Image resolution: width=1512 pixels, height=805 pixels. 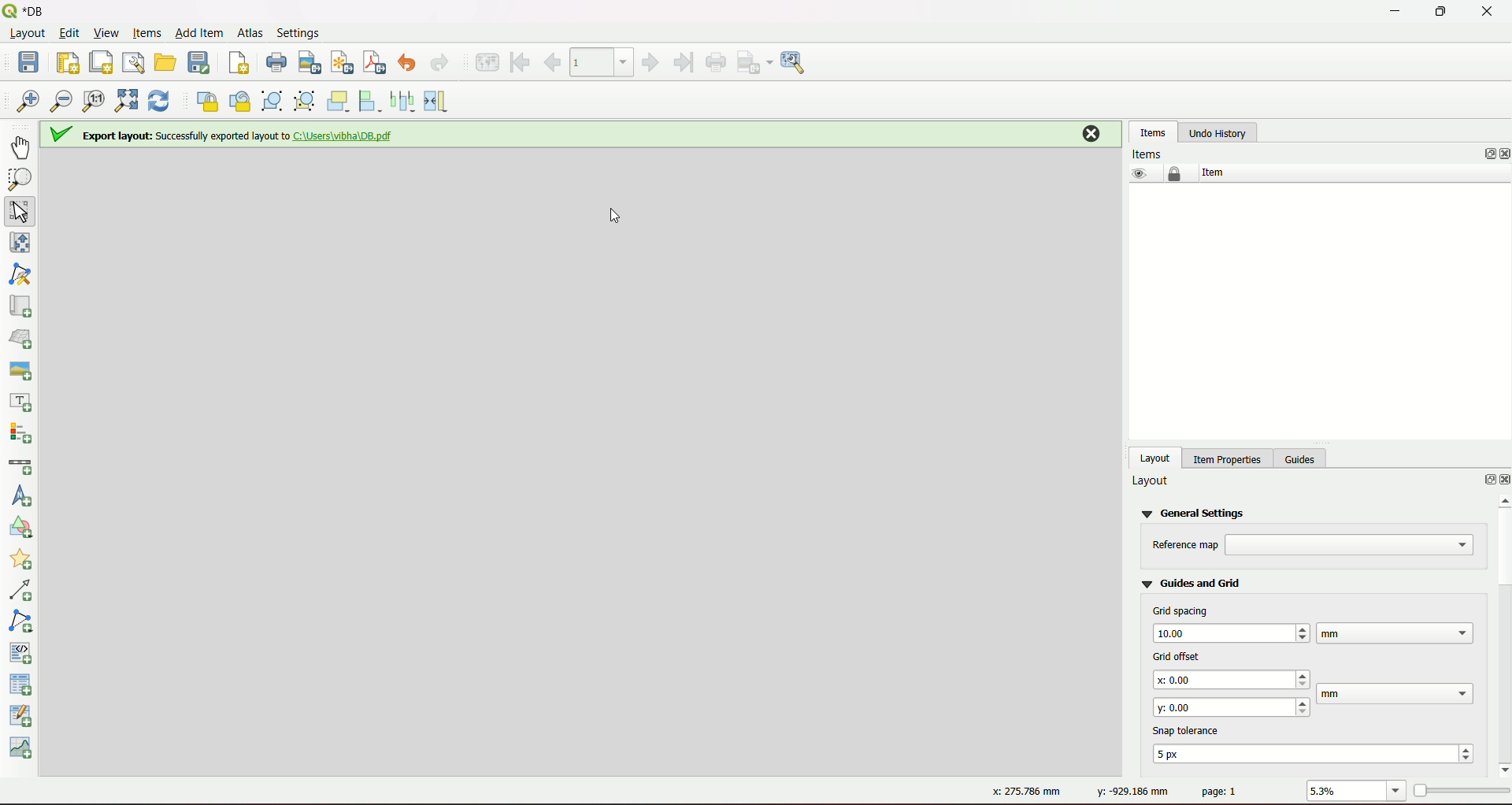 What do you see at coordinates (1211, 172) in the screenshot?
I see `item` at bounding box center [1211, 172].